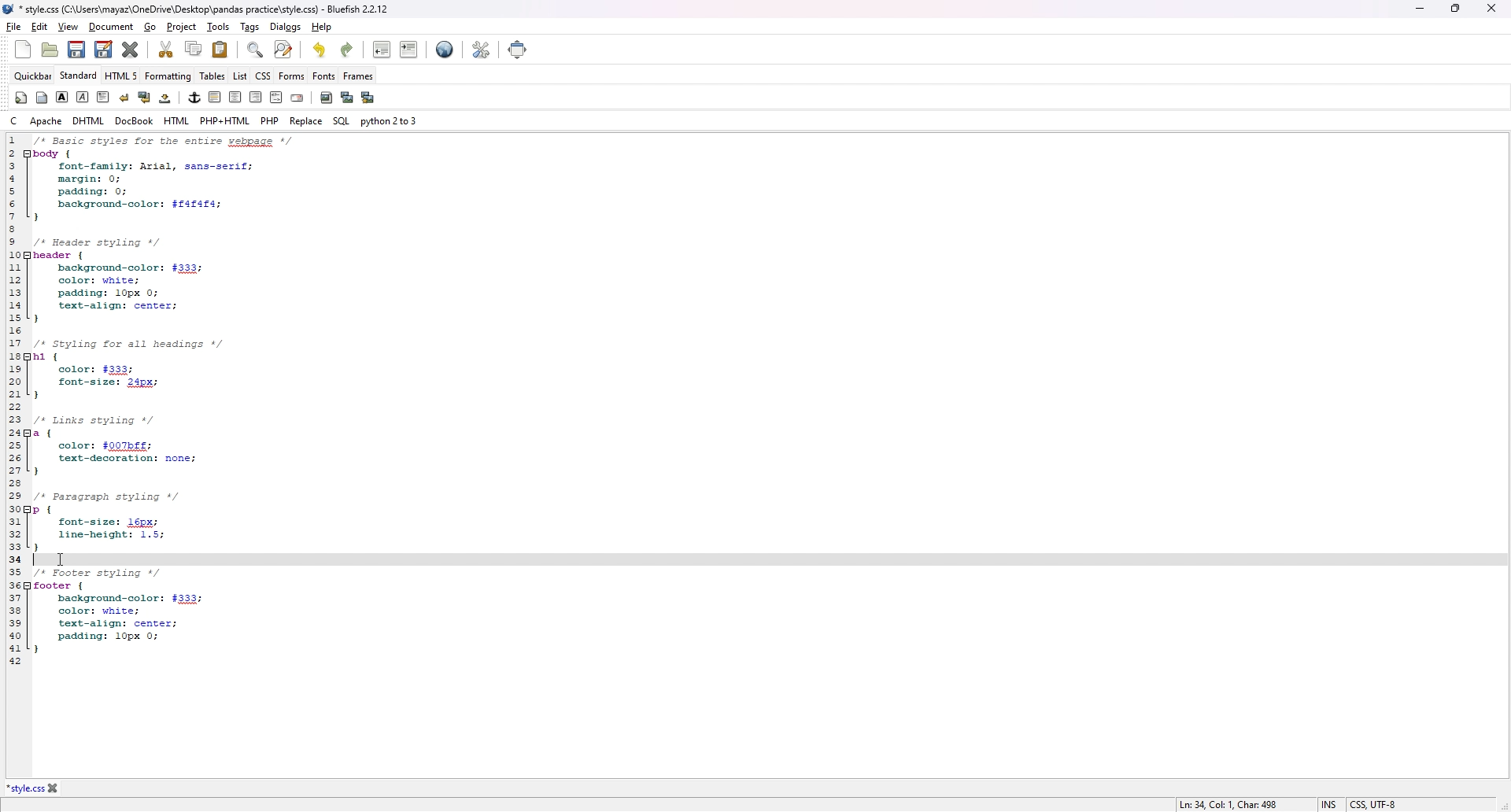  What do you see at coordinates (54, 788) in the screenshot?
I see `close tab` at bounding box center [54, 788].